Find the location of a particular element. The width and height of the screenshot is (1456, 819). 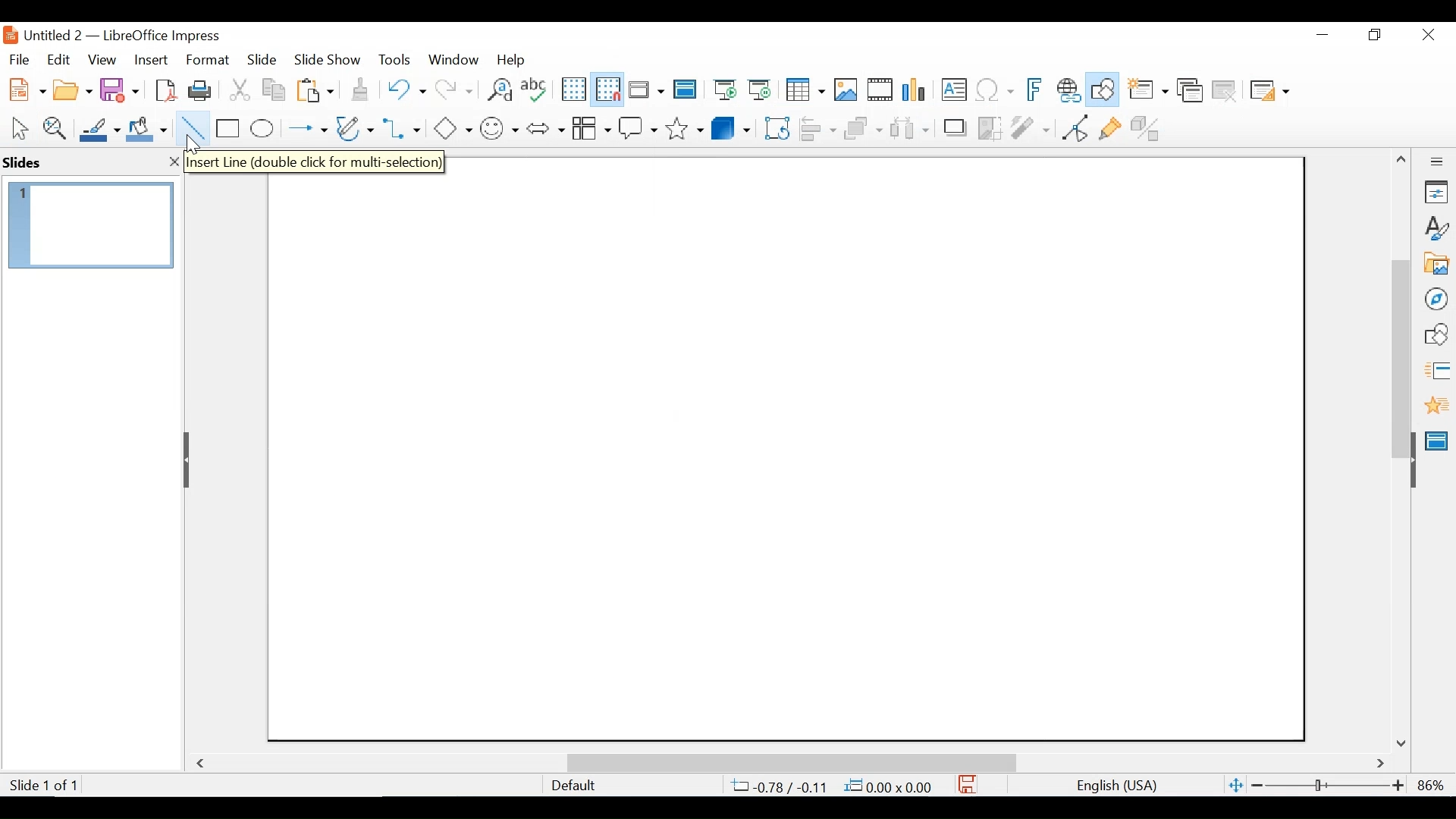

 is located at coordinates (591, 127).